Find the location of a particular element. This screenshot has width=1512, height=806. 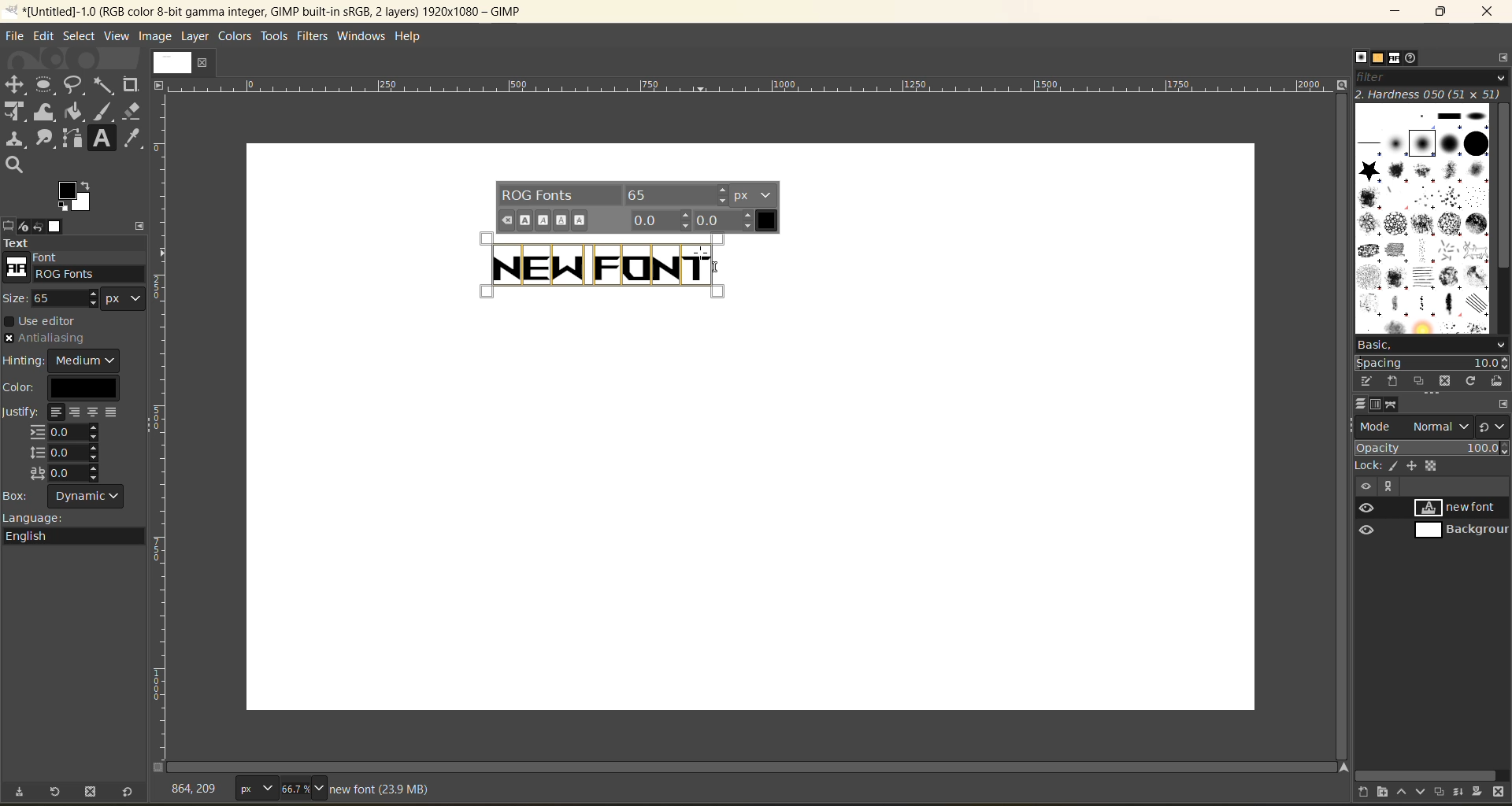

hardness is located at coordinates (1431, 94).